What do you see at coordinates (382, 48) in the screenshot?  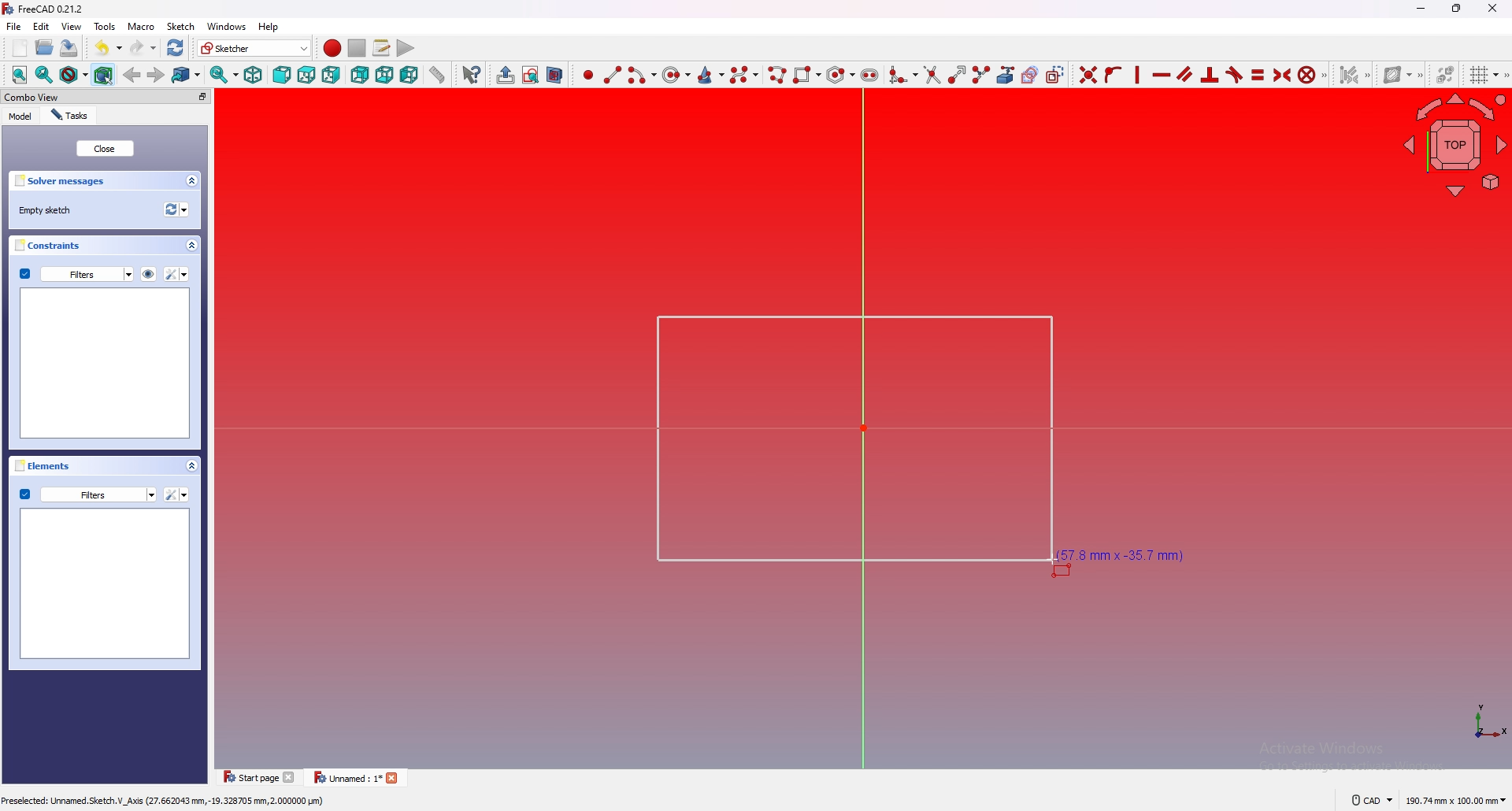 I see `macros` at bounding box center [382, 48].